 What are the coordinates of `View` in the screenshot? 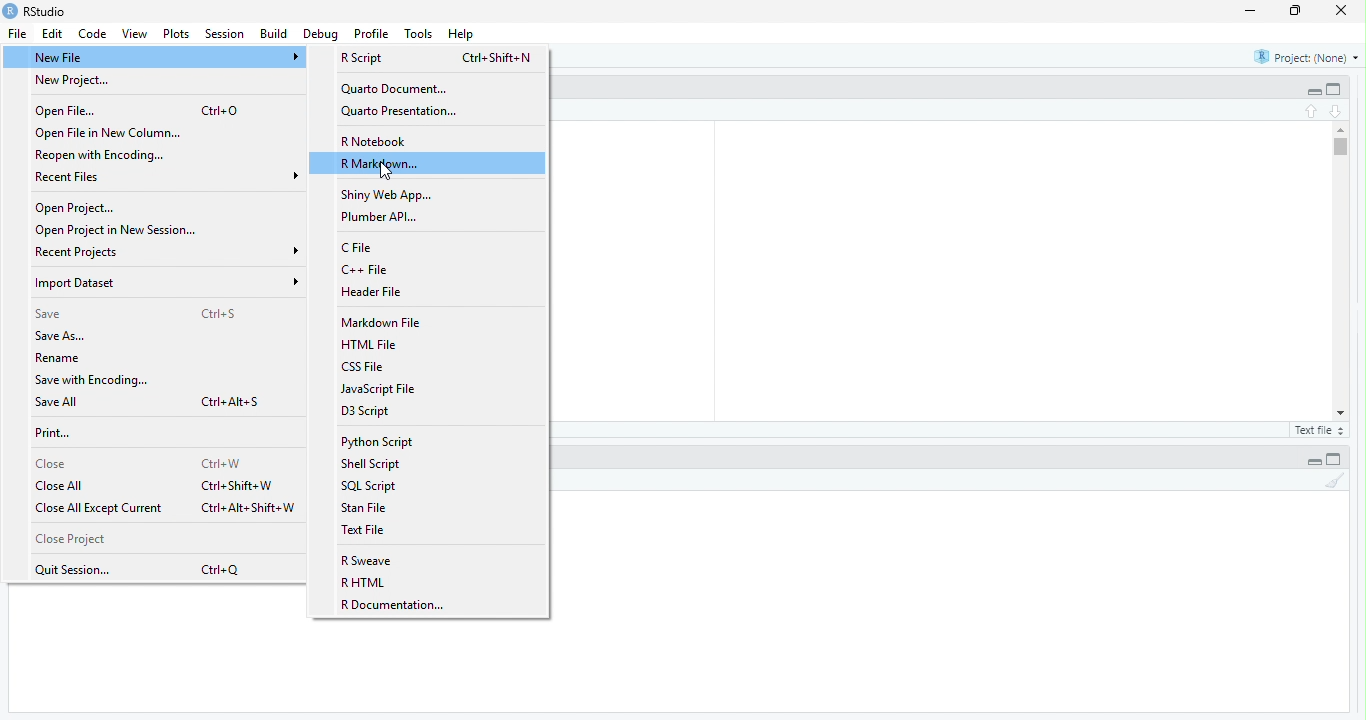 It's located at (134, 33).